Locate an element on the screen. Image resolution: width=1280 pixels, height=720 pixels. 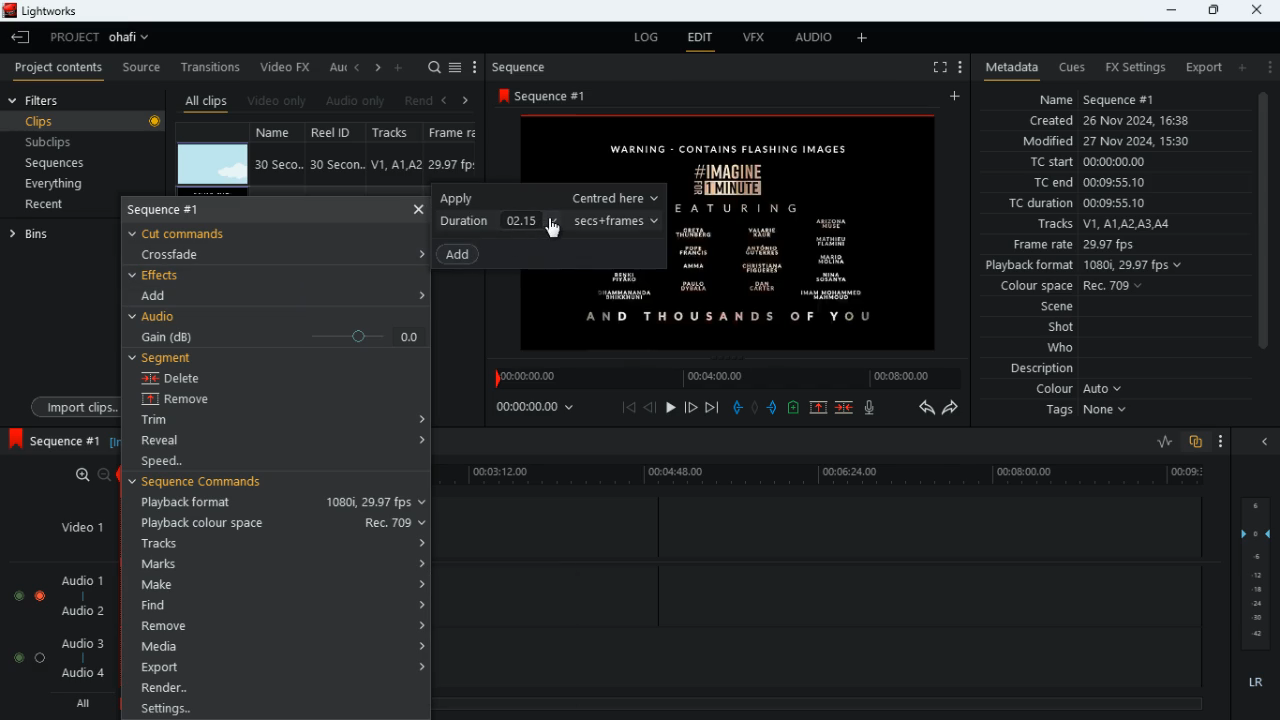
Toggle is located at coordinates (40, 593).